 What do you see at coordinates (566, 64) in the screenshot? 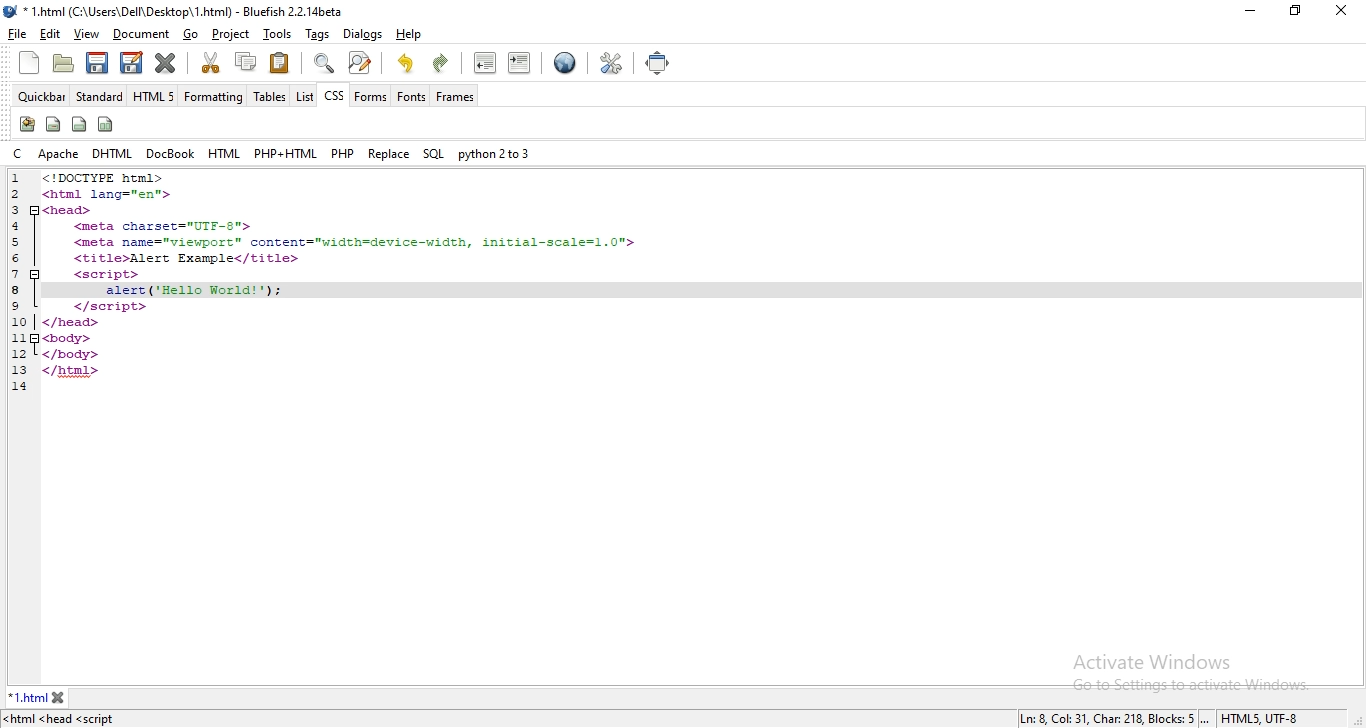
I see `view in browser` at bounding box center [566, 64].